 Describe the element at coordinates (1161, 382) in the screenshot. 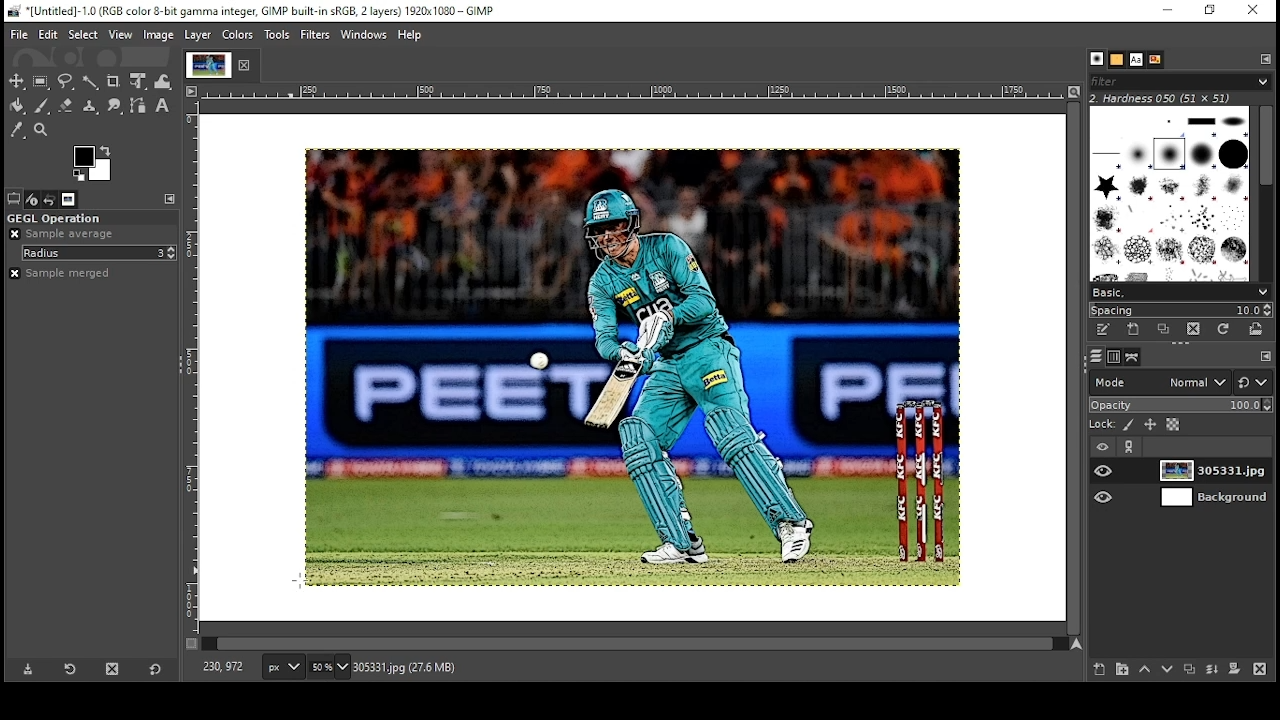

I see `mode` at that location.